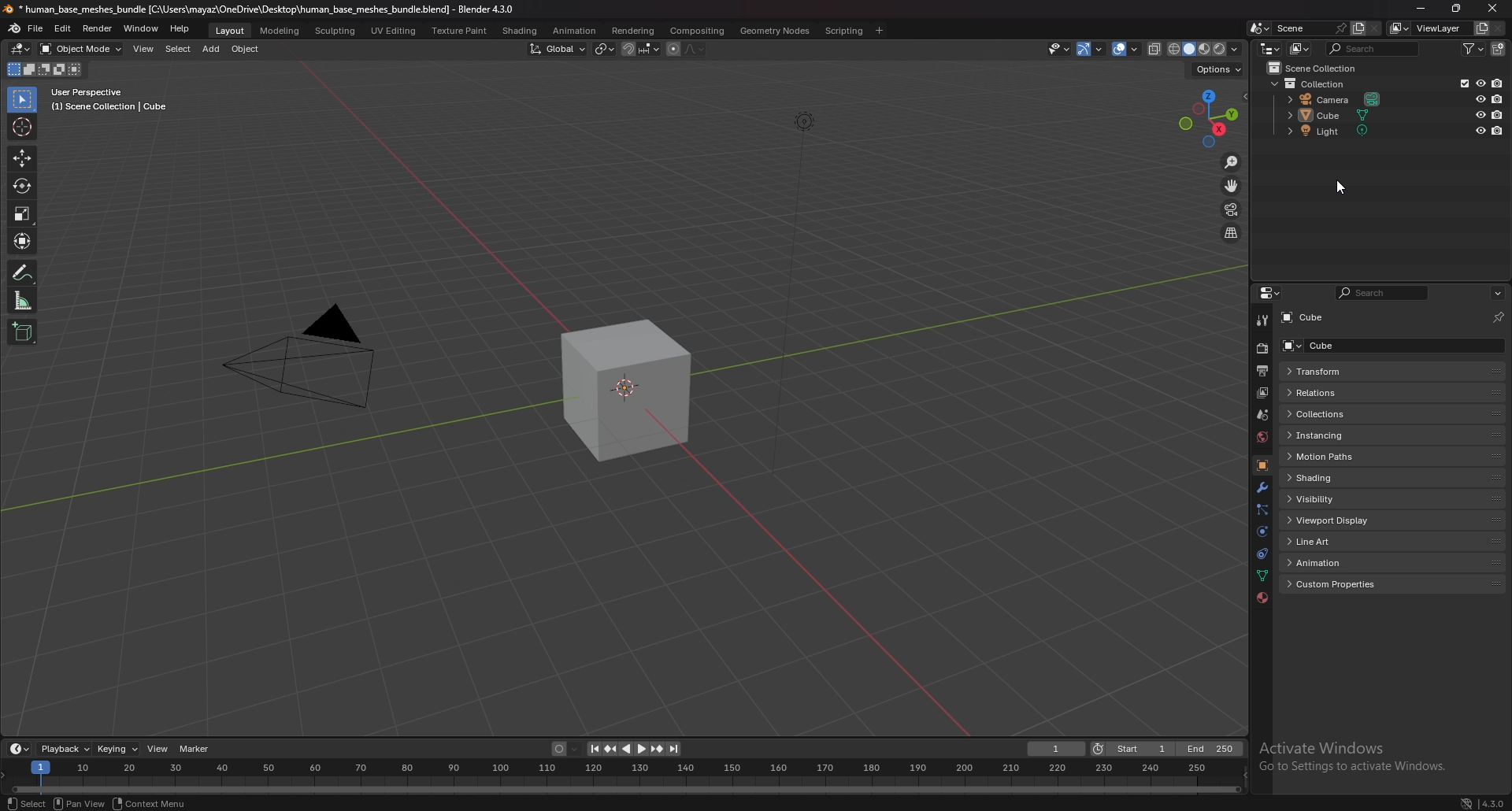 This screenshot has height=811, width=1512. Describe the element at coordinates (22, 157) in the screenshot. I see `move` at that location.